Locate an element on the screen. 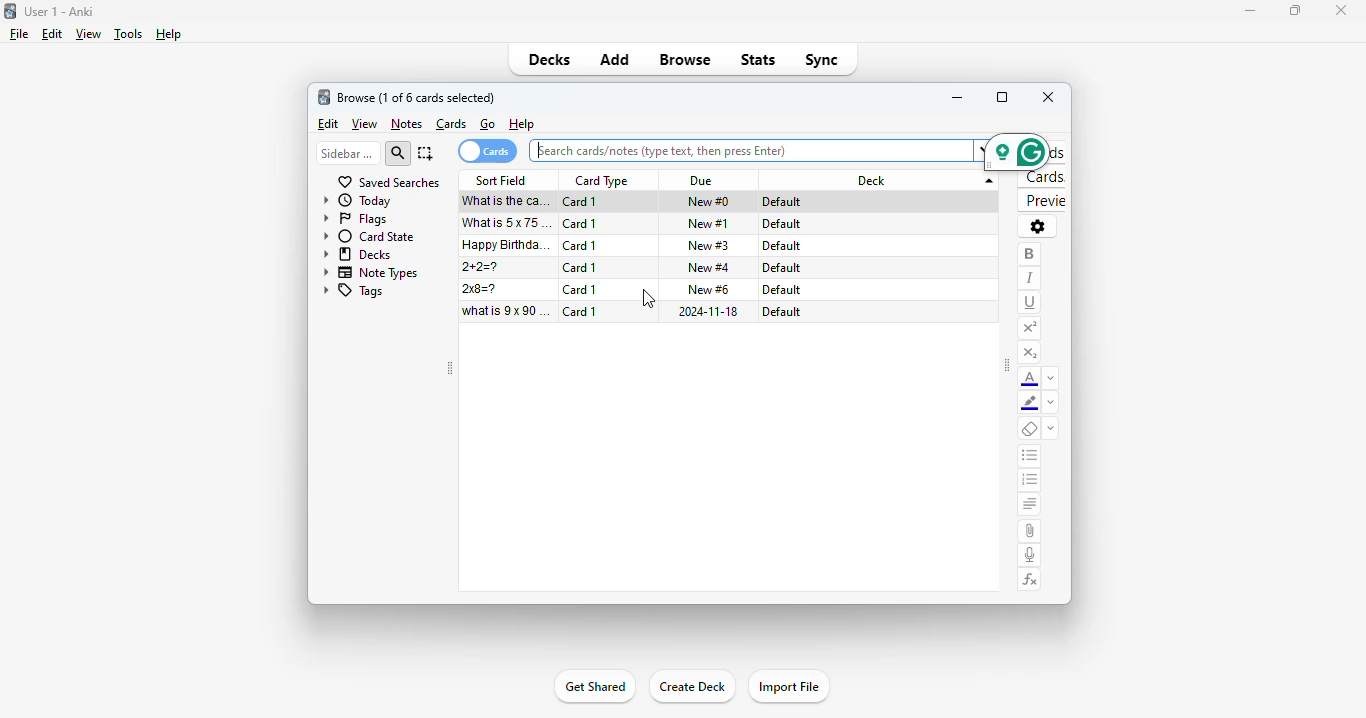 The width and height of the screenshot is (1366, 718). ordered list is located at coordinates (1030, 482).